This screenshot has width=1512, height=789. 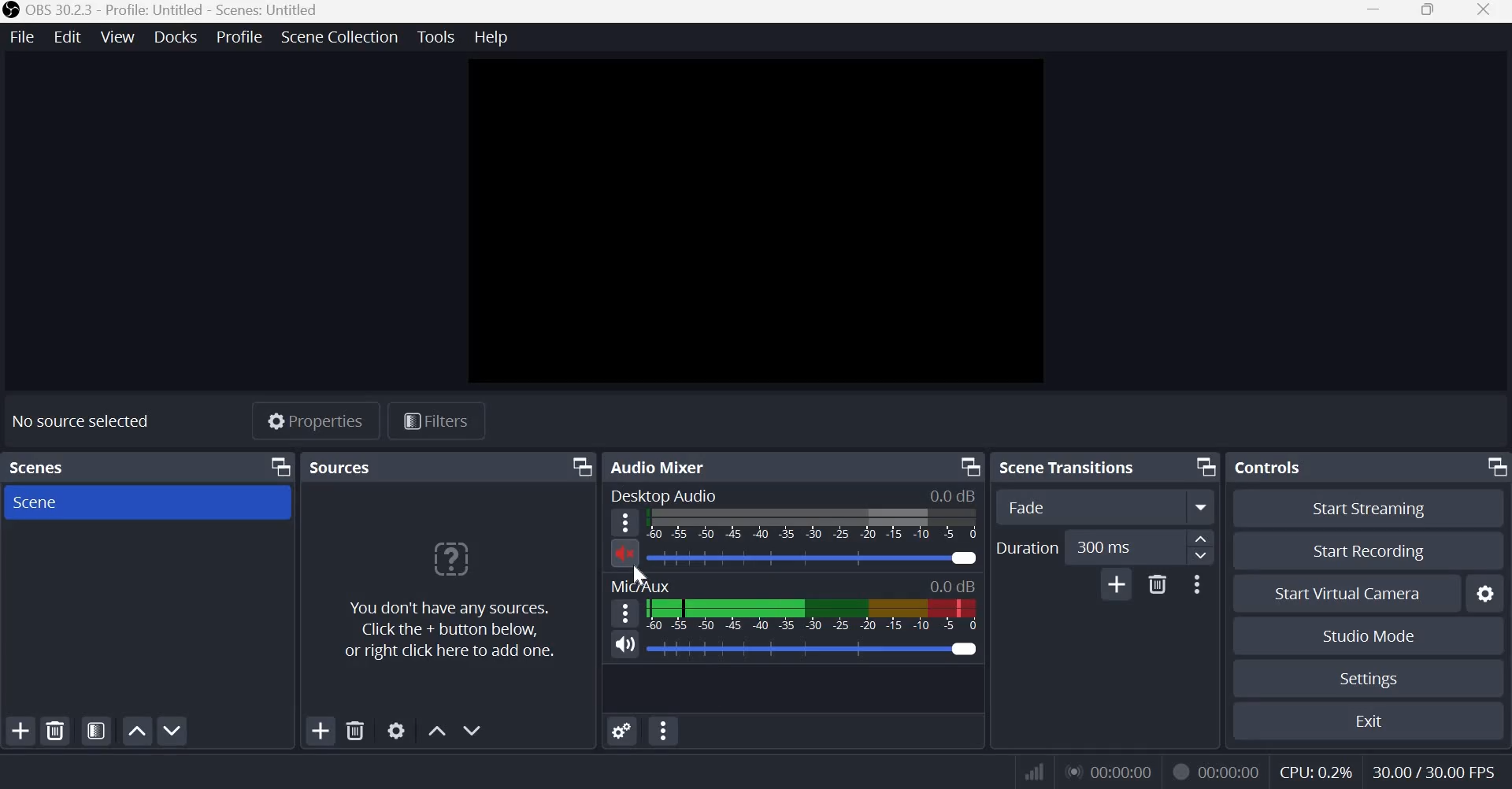 I want to click on Properties, so click(x=316, y=420).